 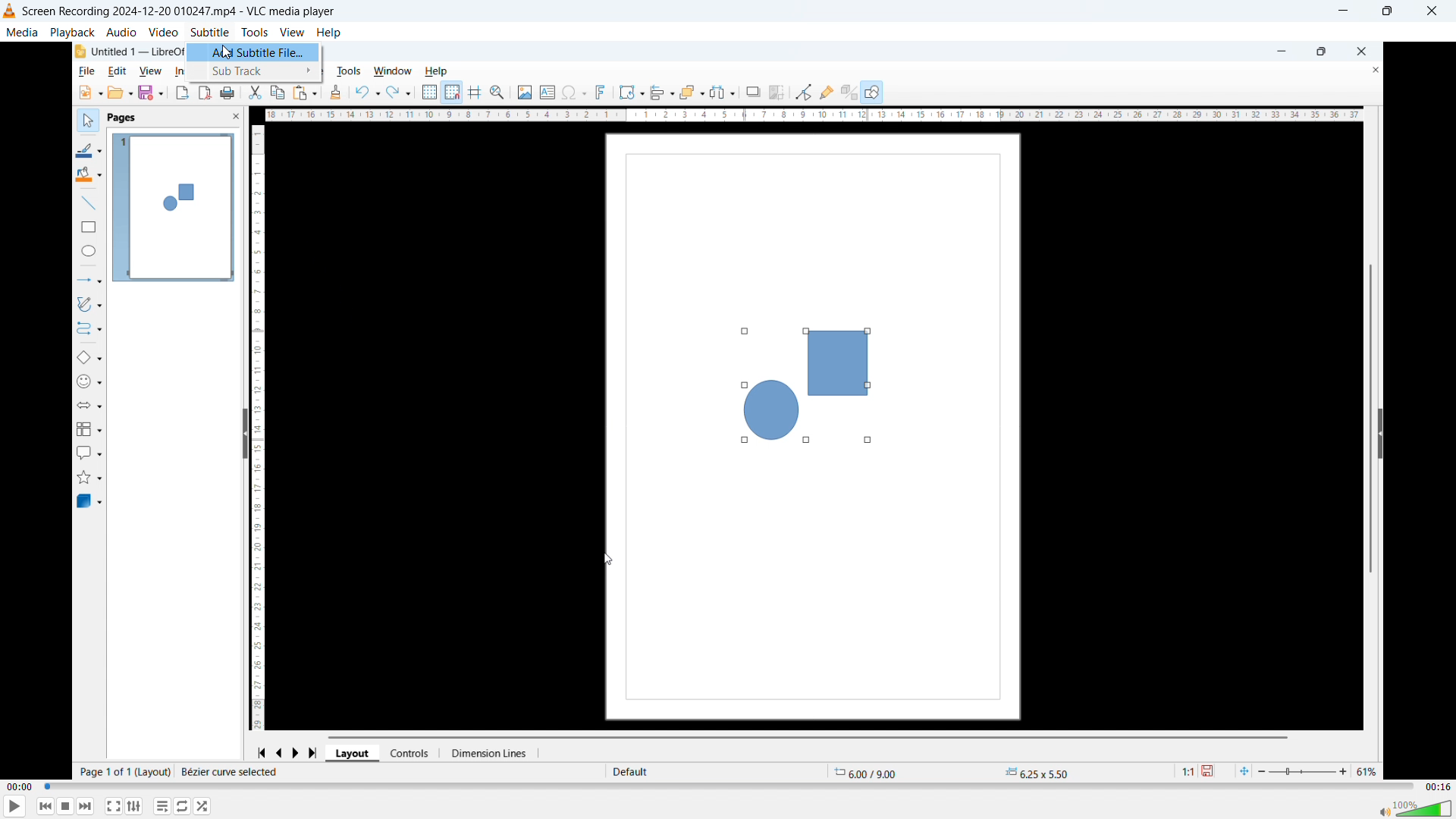 I want to click on Layout, so click(x=354, y=753).